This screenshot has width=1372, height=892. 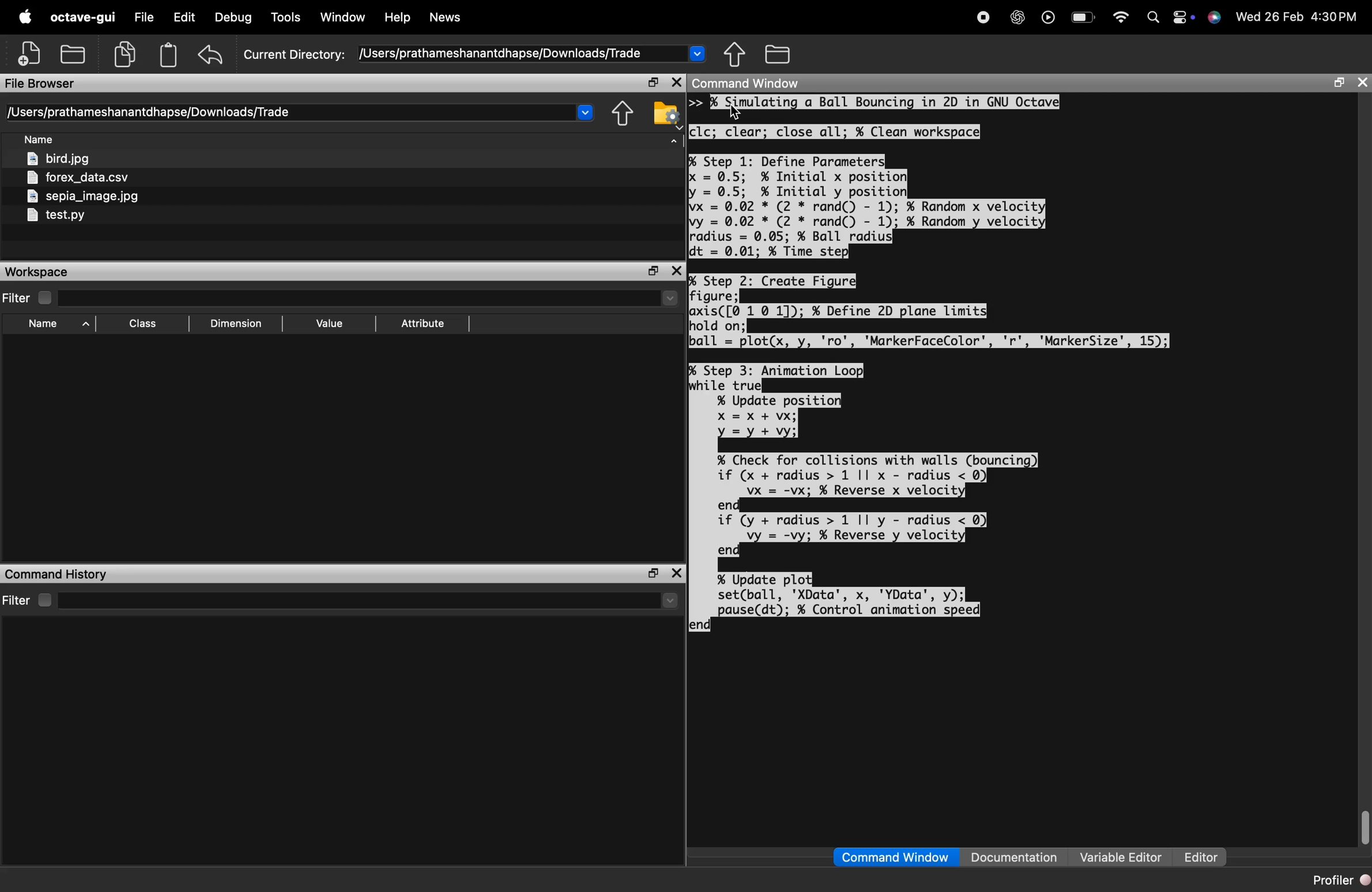 I want to click on Attribute, so click(x=423, y=324).